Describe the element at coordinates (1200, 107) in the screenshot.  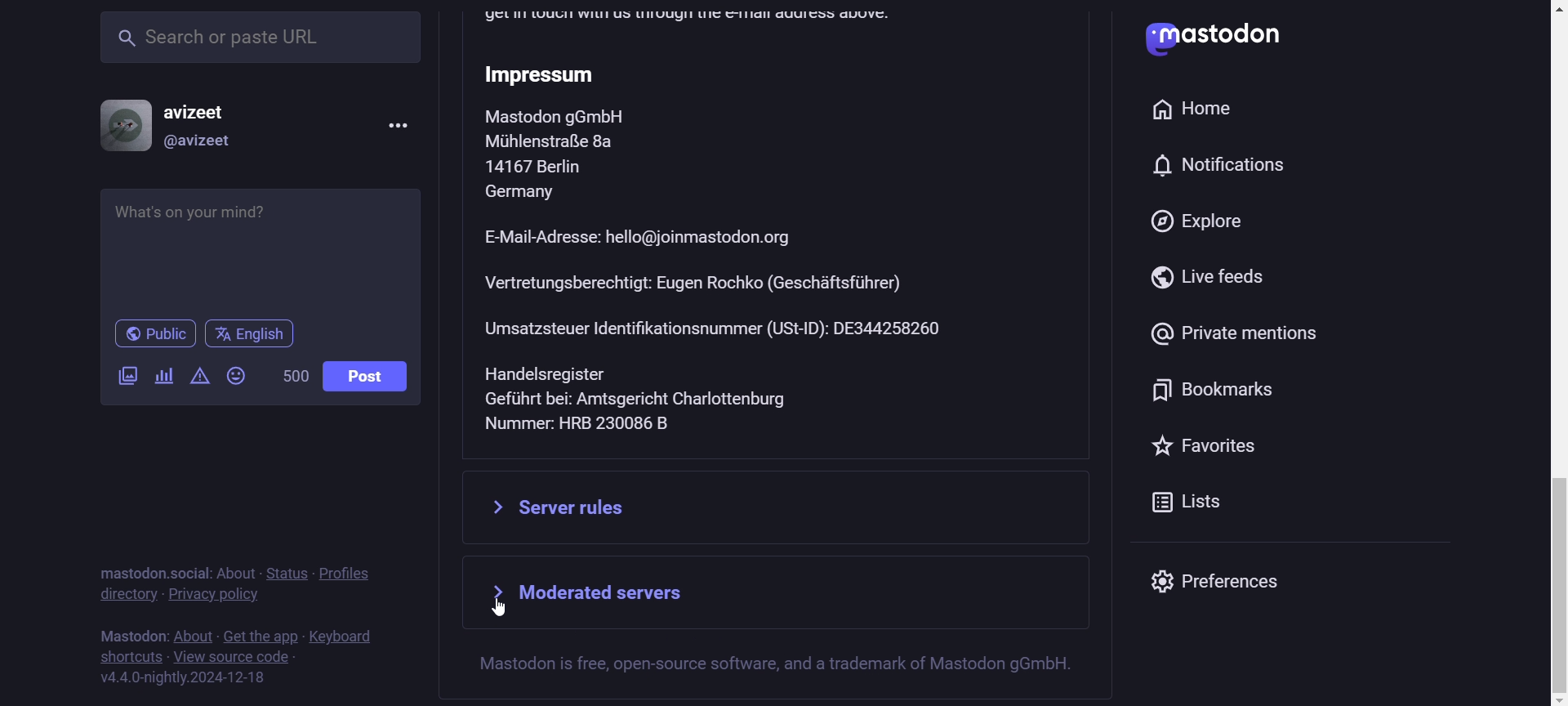
I see `home` at that location.